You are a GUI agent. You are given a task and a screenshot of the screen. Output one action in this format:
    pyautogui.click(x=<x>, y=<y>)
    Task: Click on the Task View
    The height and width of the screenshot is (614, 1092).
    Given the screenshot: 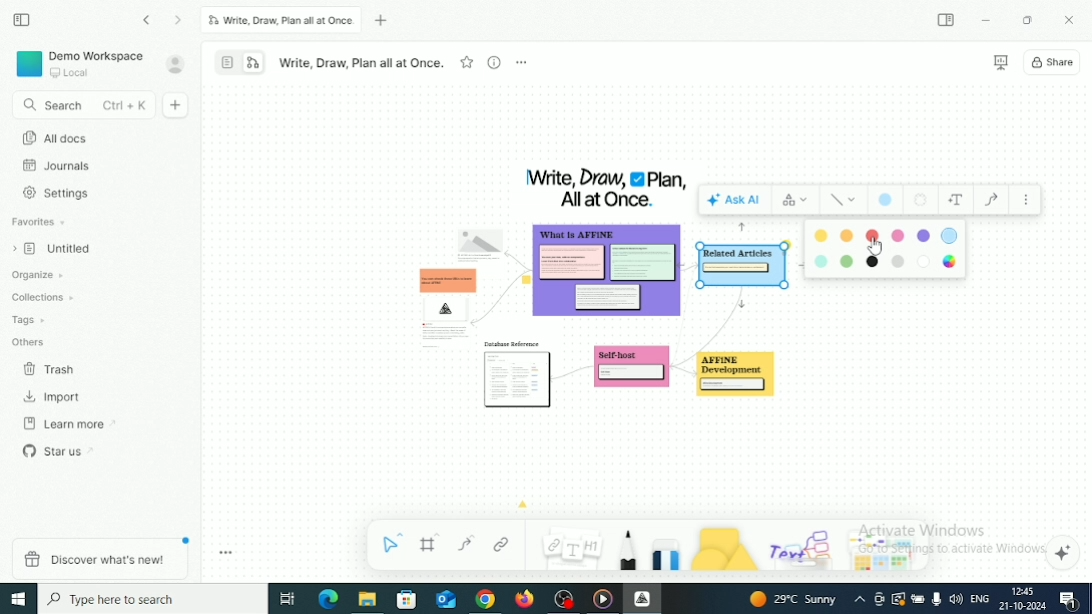 What is the action you would take?
    pyautogui.click(x=287, y=599)
    